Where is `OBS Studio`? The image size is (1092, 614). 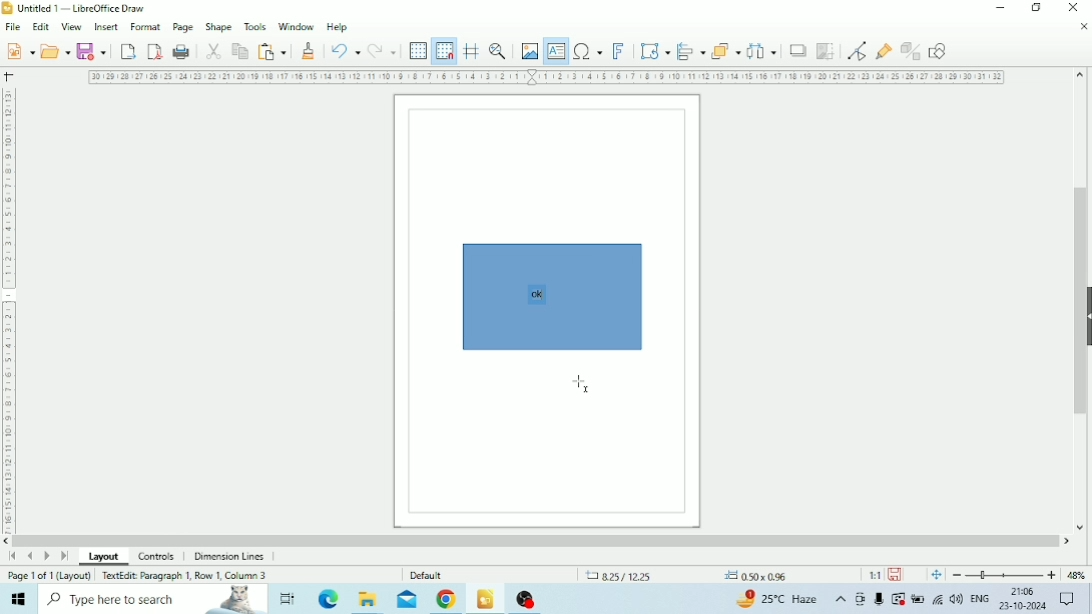
OBS Studio is located at coordinates (530, 600).